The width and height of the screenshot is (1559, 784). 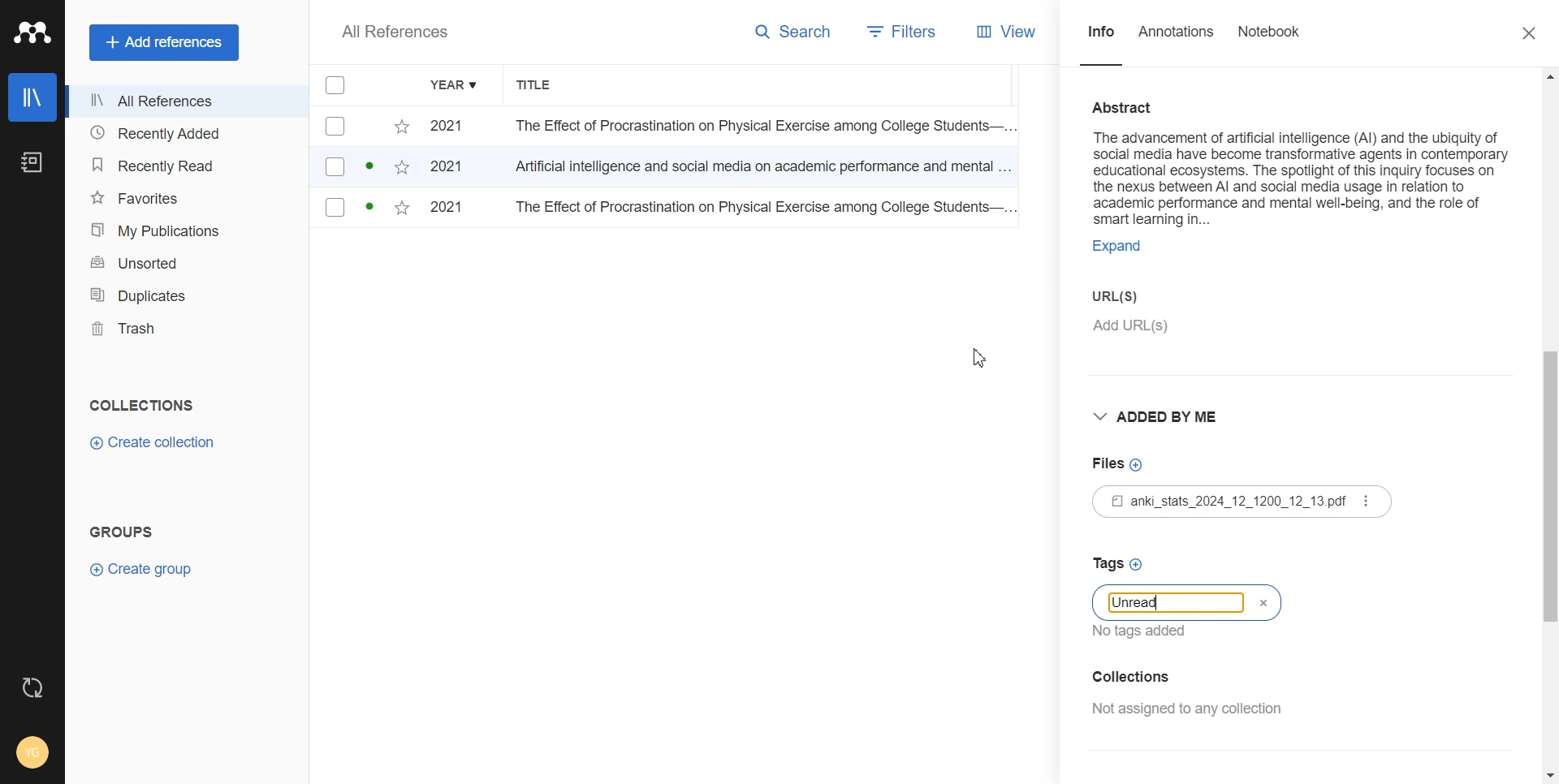 What do you see at coordinates (797, 32) in the screenshot?
I see `Search` at bounding box center [797, 32].